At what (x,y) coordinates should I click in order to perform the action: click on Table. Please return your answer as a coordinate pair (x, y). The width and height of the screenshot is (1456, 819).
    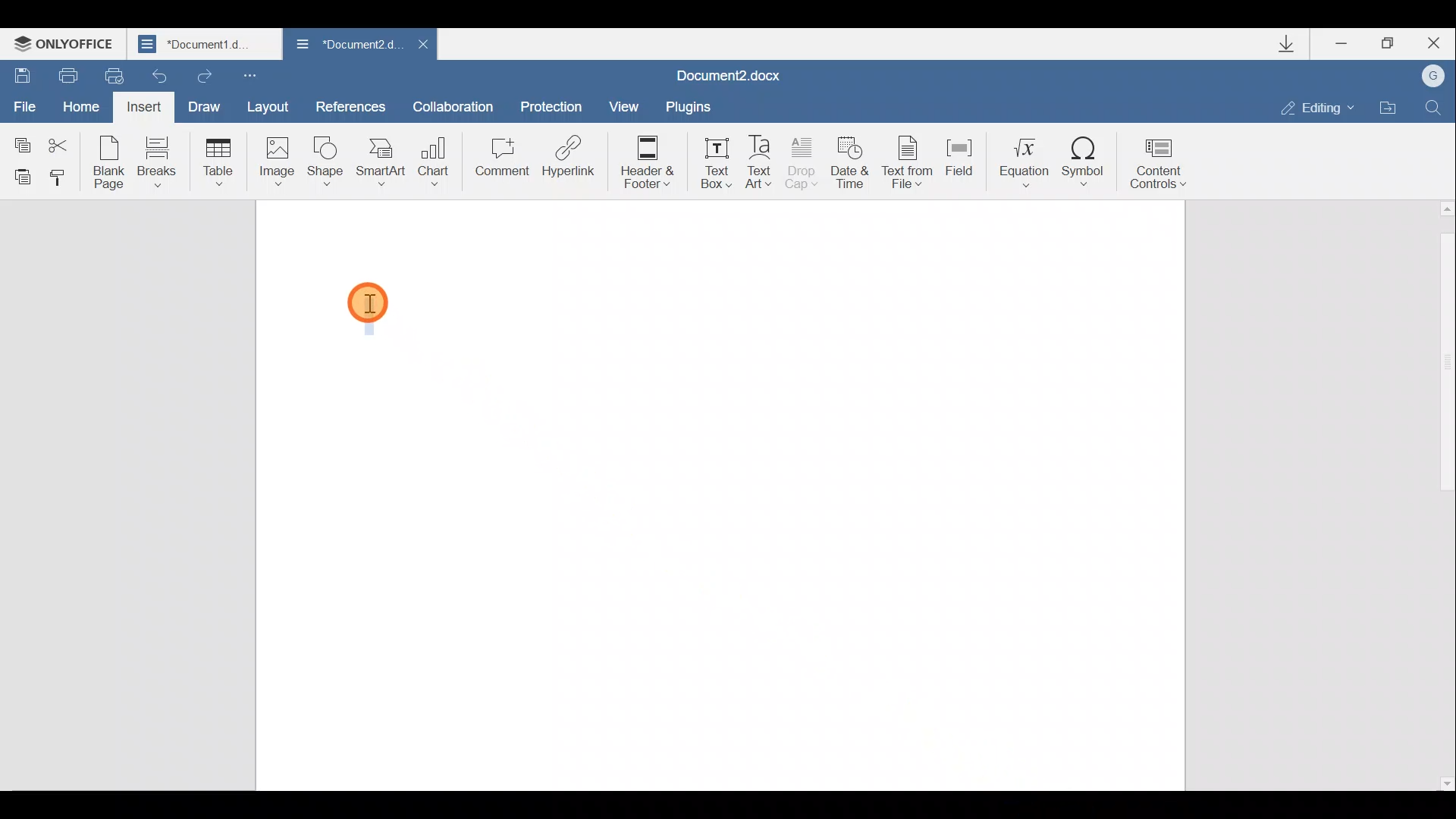
    Looking at the image, I should click on (215, 159).